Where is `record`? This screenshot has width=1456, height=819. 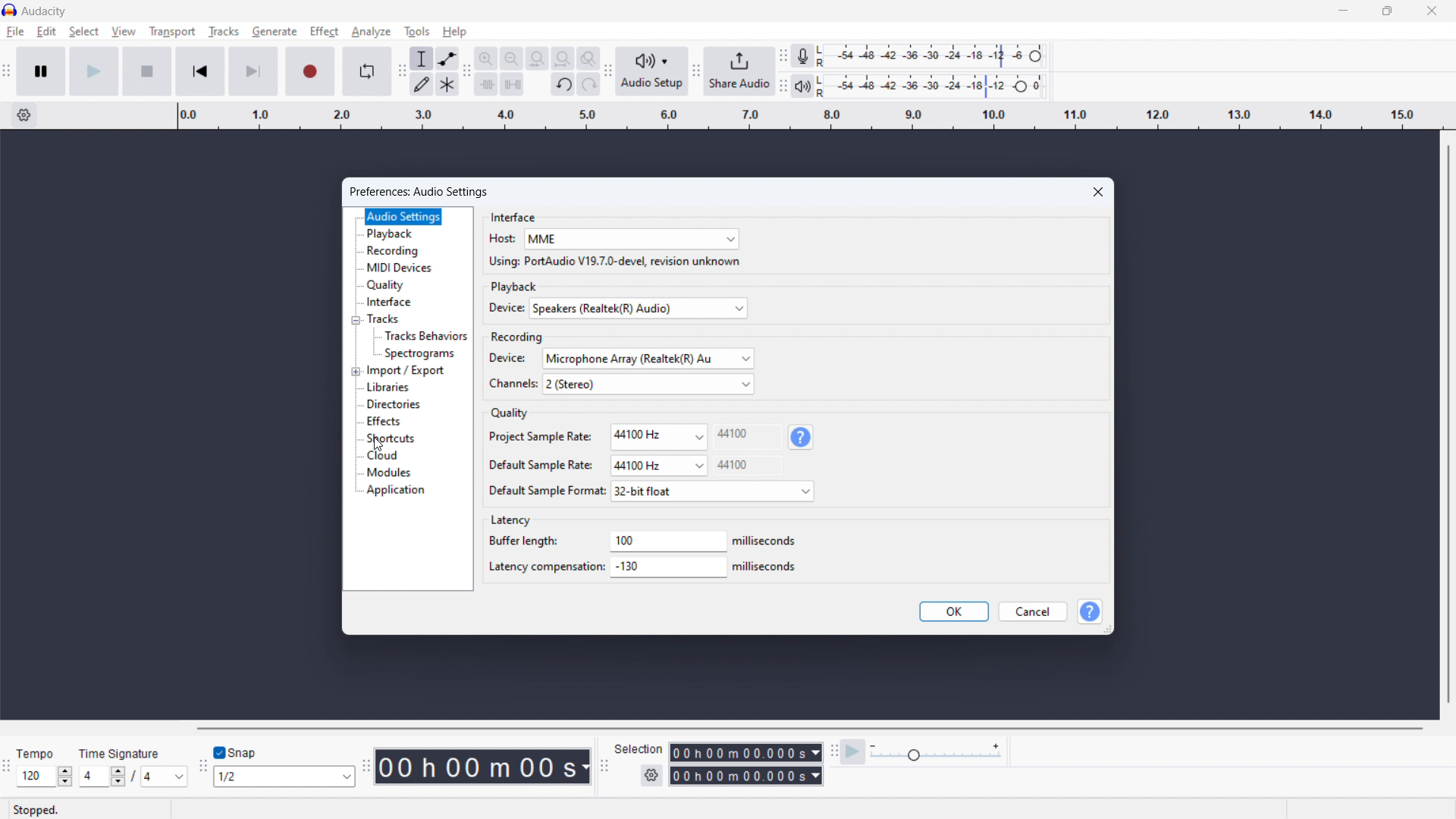 record is located at coordinates (311, 71).